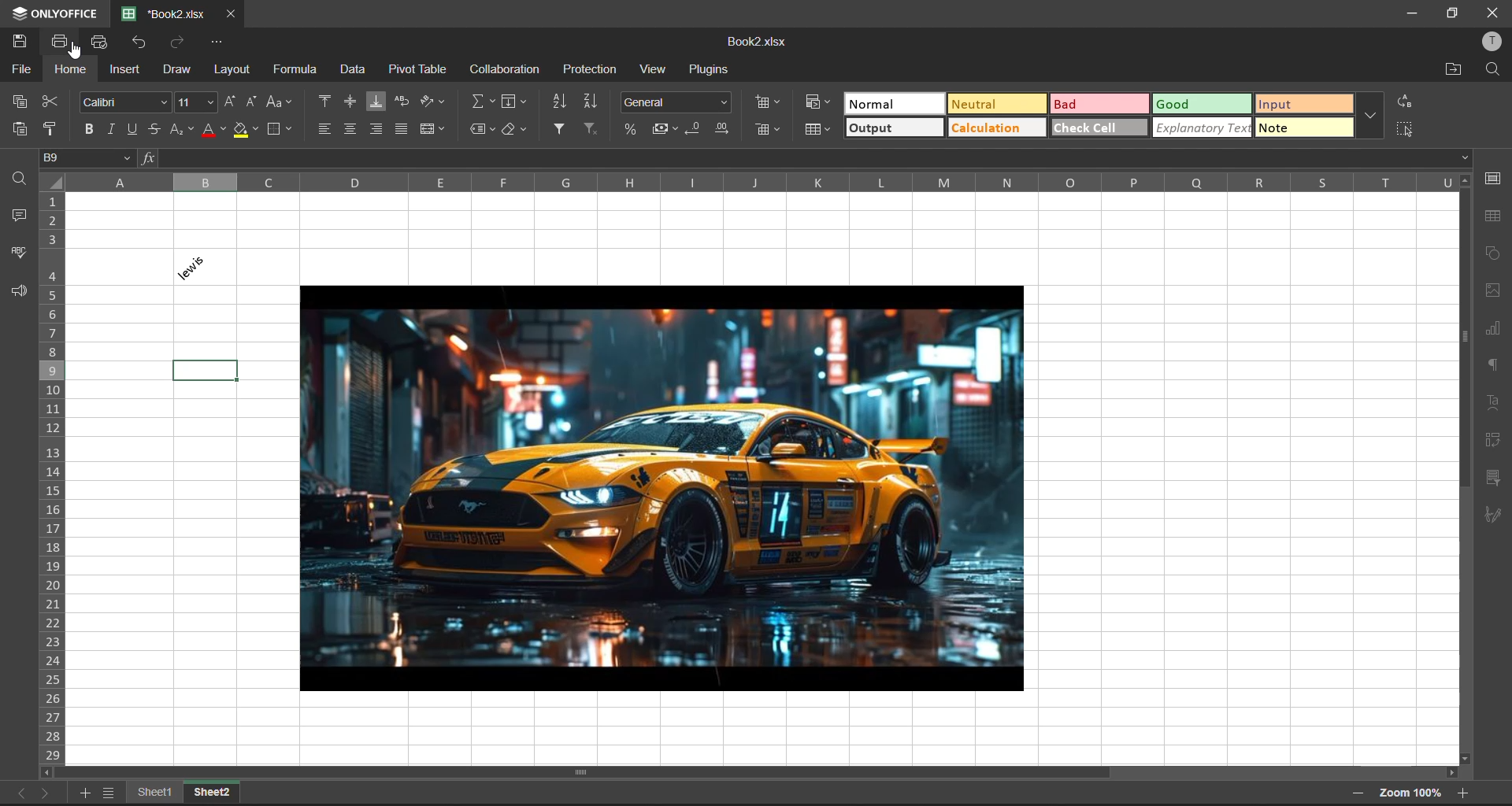 The image size is (1512, 806). I want to click on align middle, so click(352, 102).